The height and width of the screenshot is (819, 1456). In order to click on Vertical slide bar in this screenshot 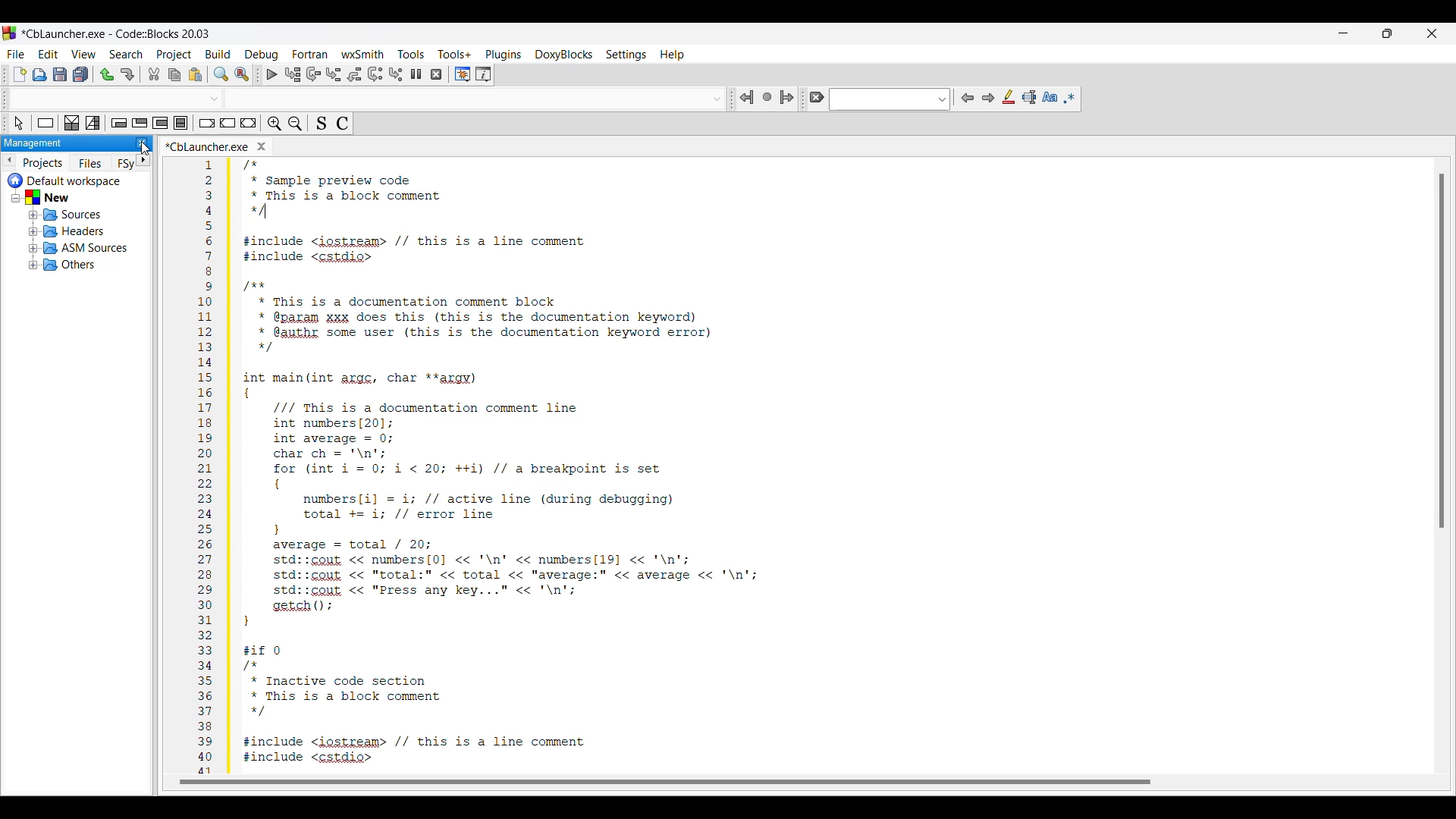, I will do `click(1442, 353)`.